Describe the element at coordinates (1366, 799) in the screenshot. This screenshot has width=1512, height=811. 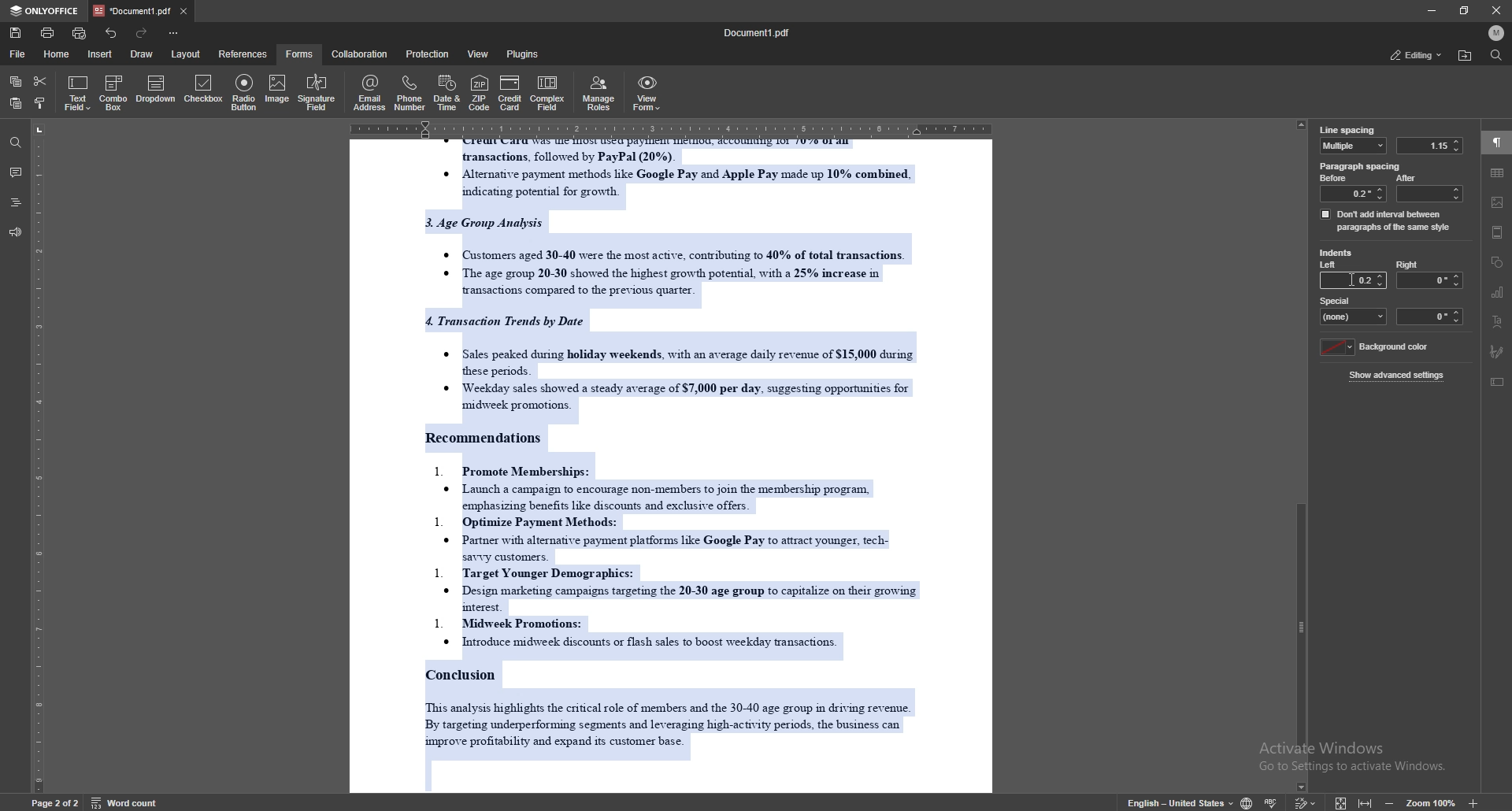
I see `fit to width` at that location.